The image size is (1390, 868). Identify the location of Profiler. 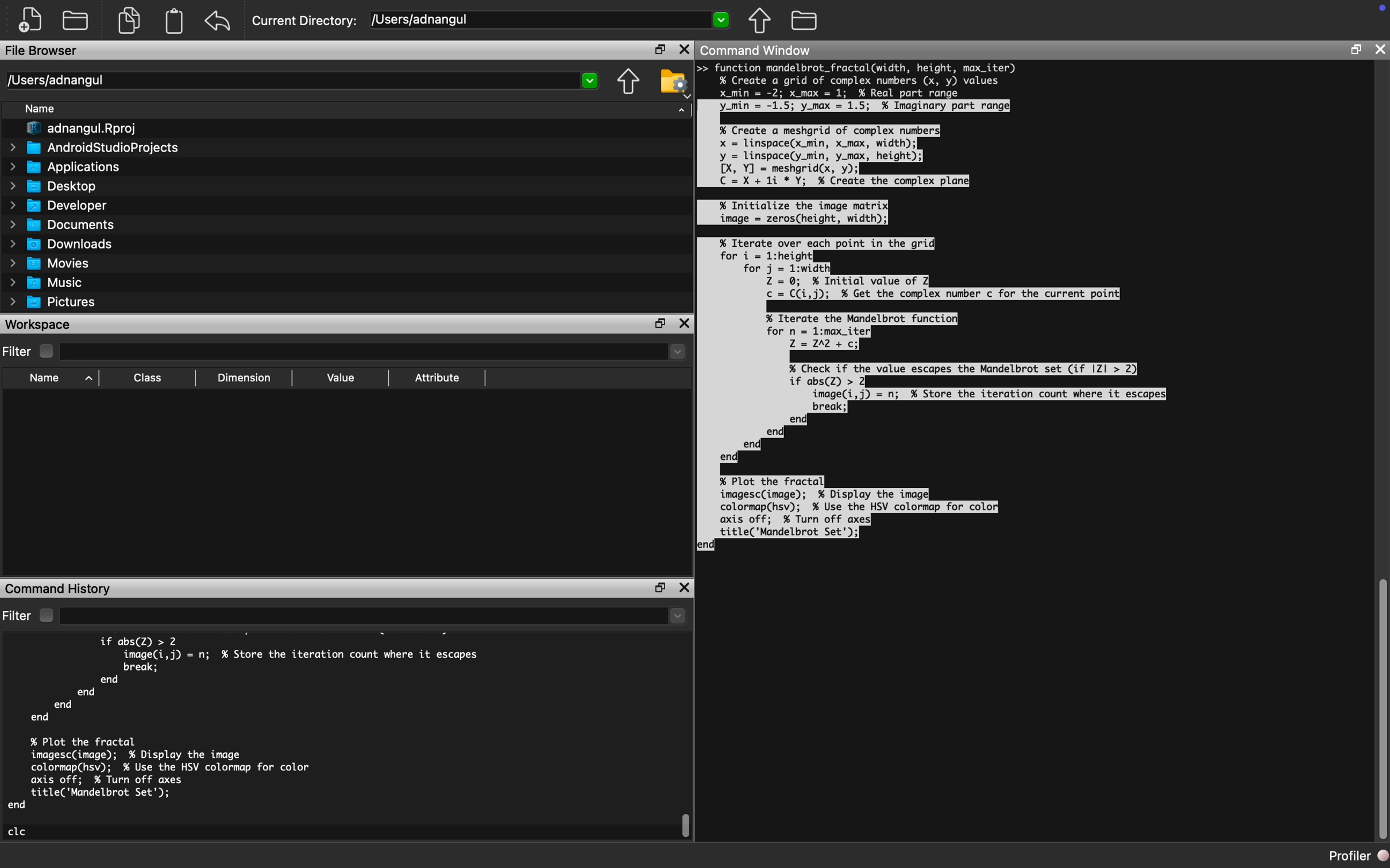
(1357, 858).